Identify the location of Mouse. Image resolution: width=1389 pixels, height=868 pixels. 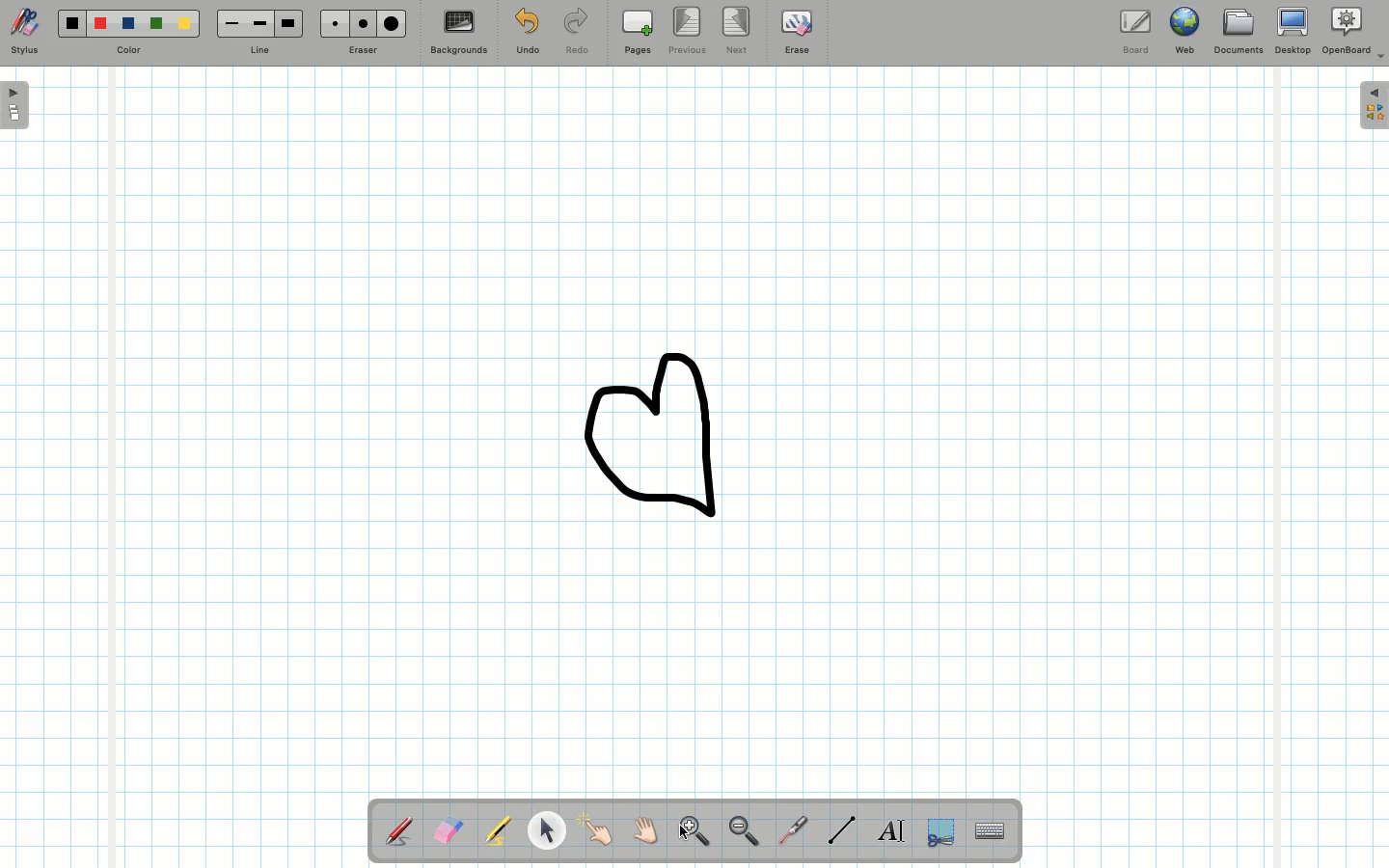
(547, 833).